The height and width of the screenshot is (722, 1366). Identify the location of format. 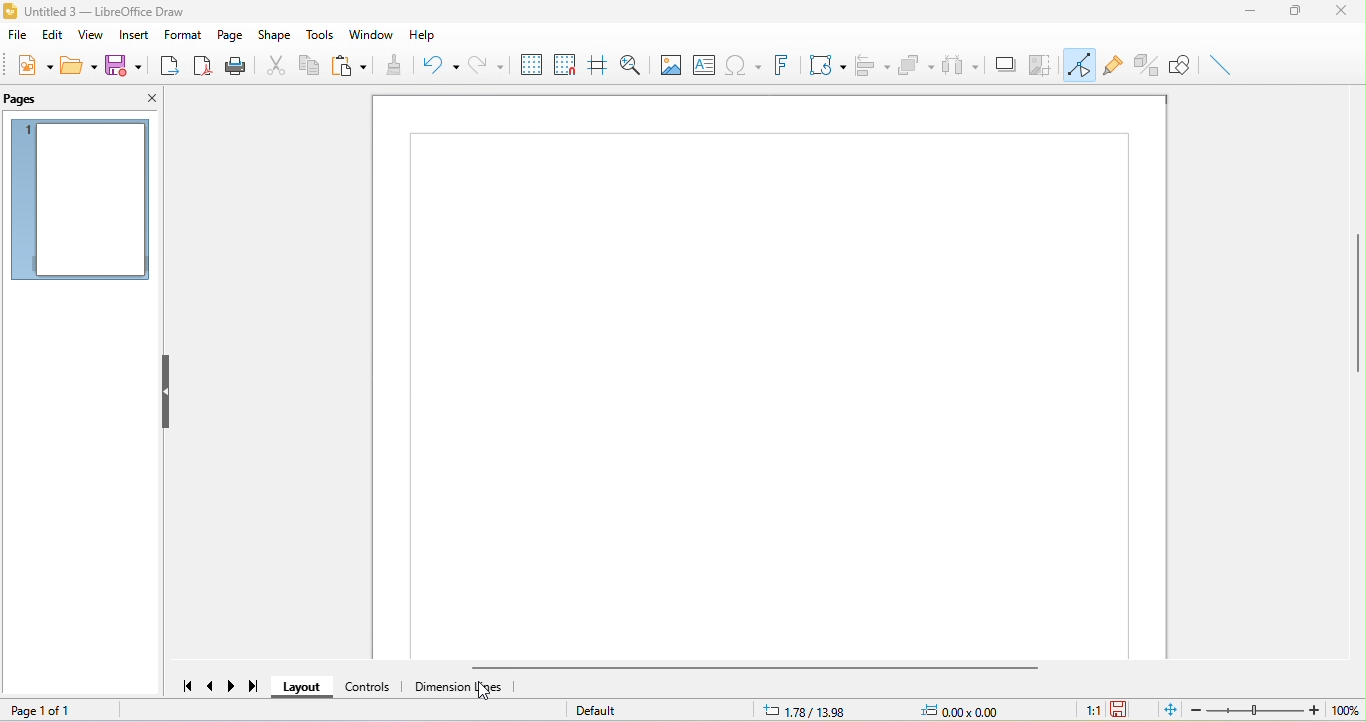
(181, 35).